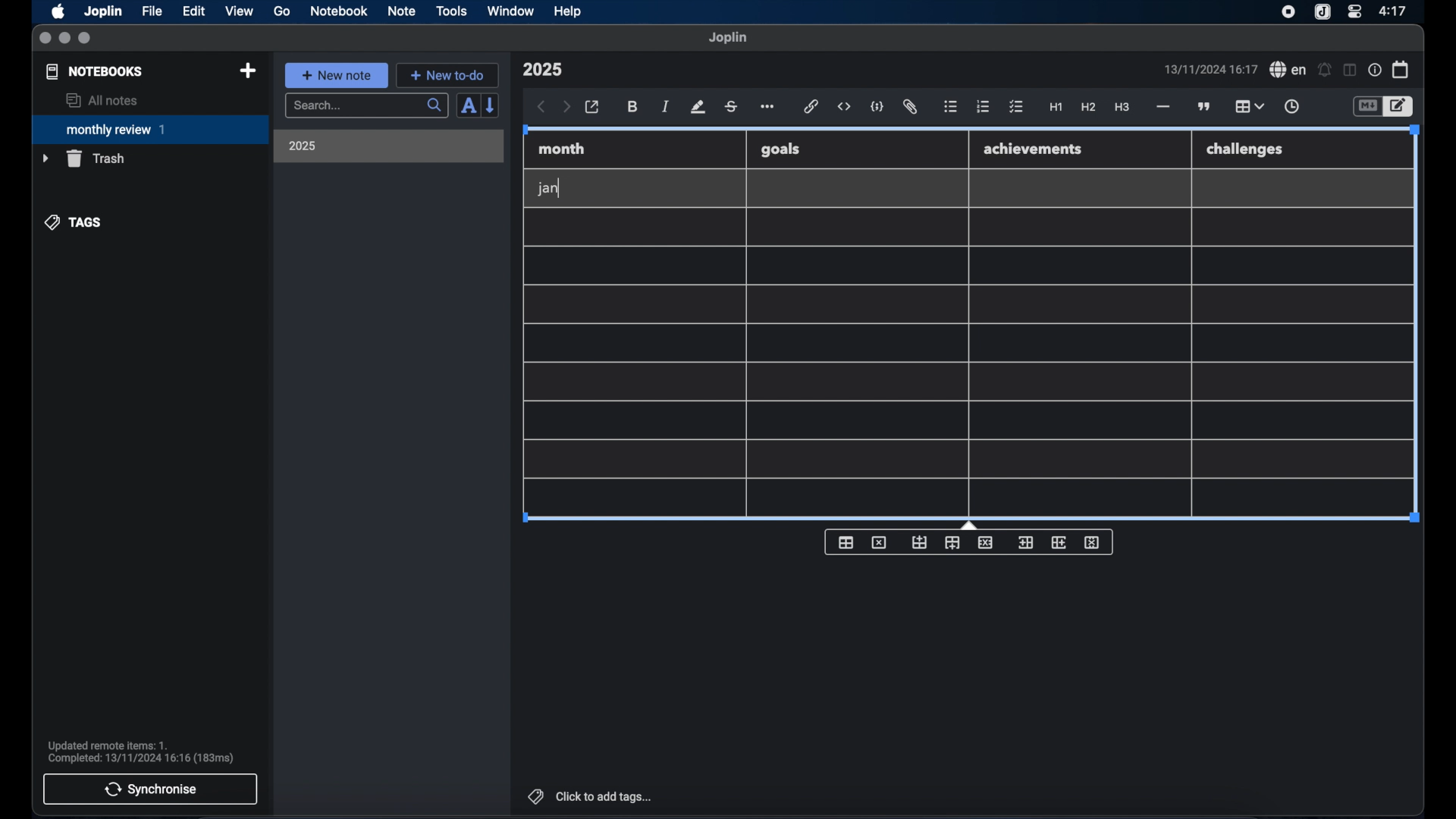 This screenshot has height=819, width=1456. I want to click on delete table, so click(879, 543).